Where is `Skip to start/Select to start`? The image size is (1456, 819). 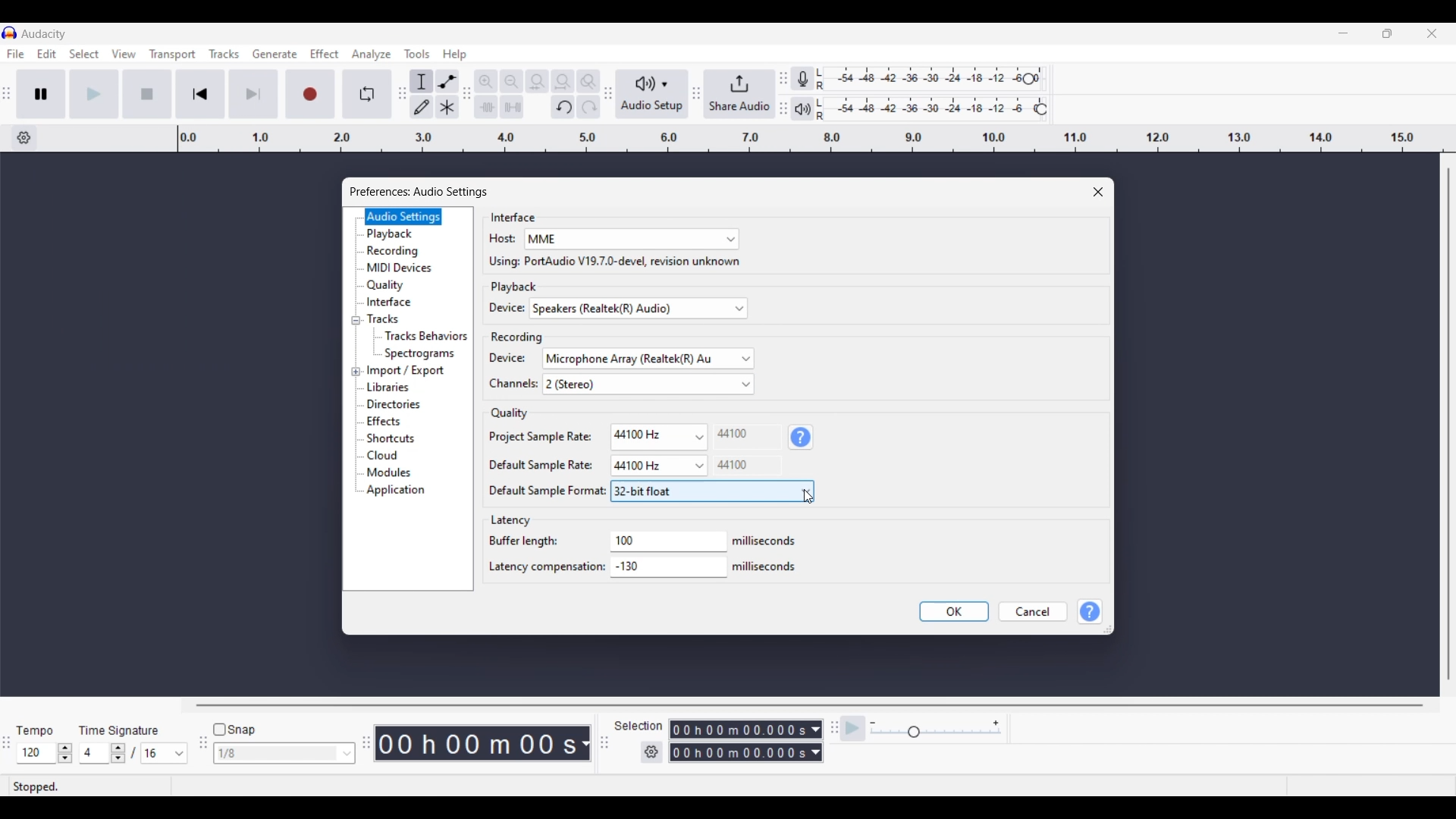 Skip to start/Select to start is located at coordinates (200, 93).